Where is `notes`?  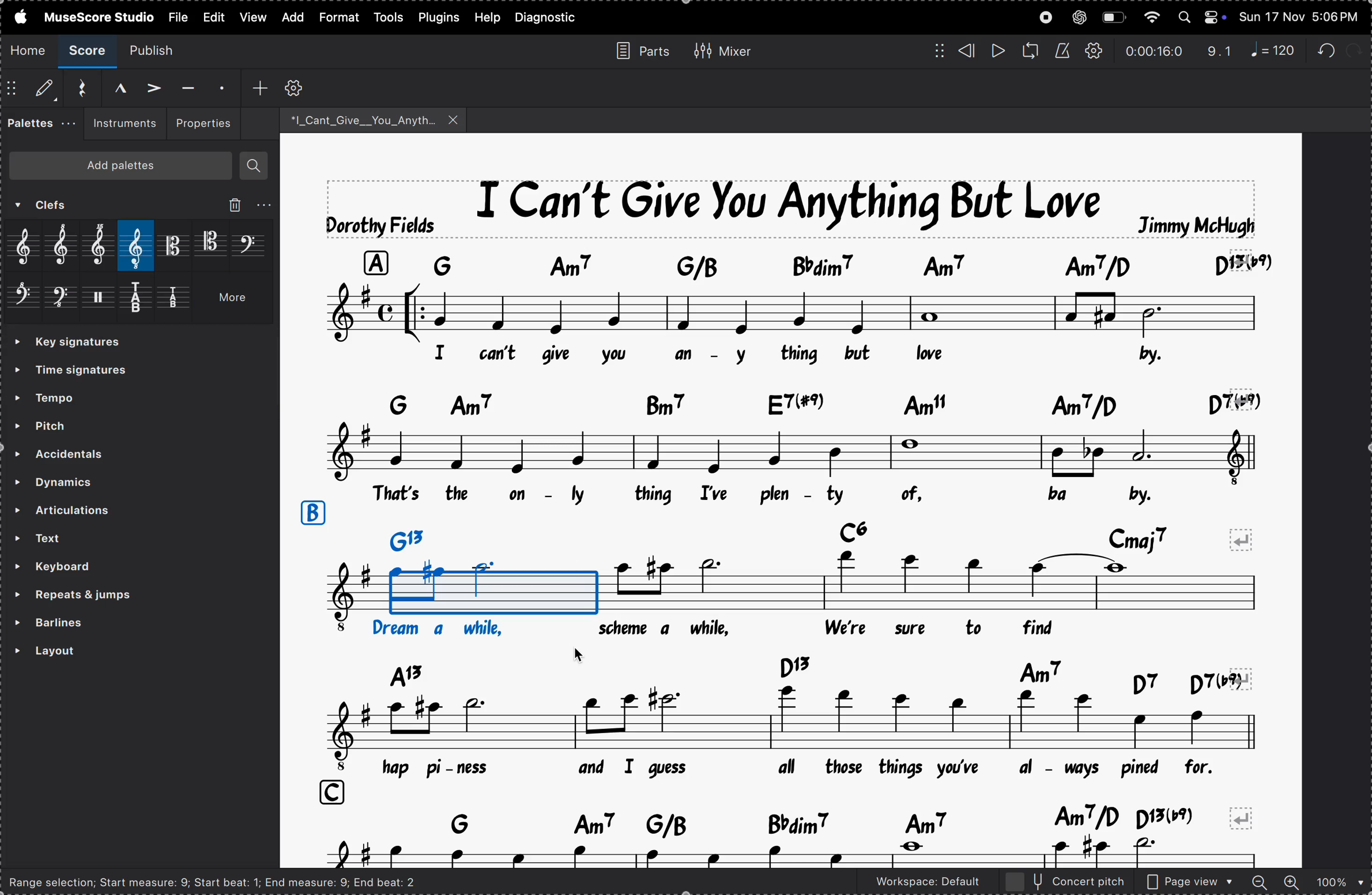
notes is located at coordinates (798, 854).